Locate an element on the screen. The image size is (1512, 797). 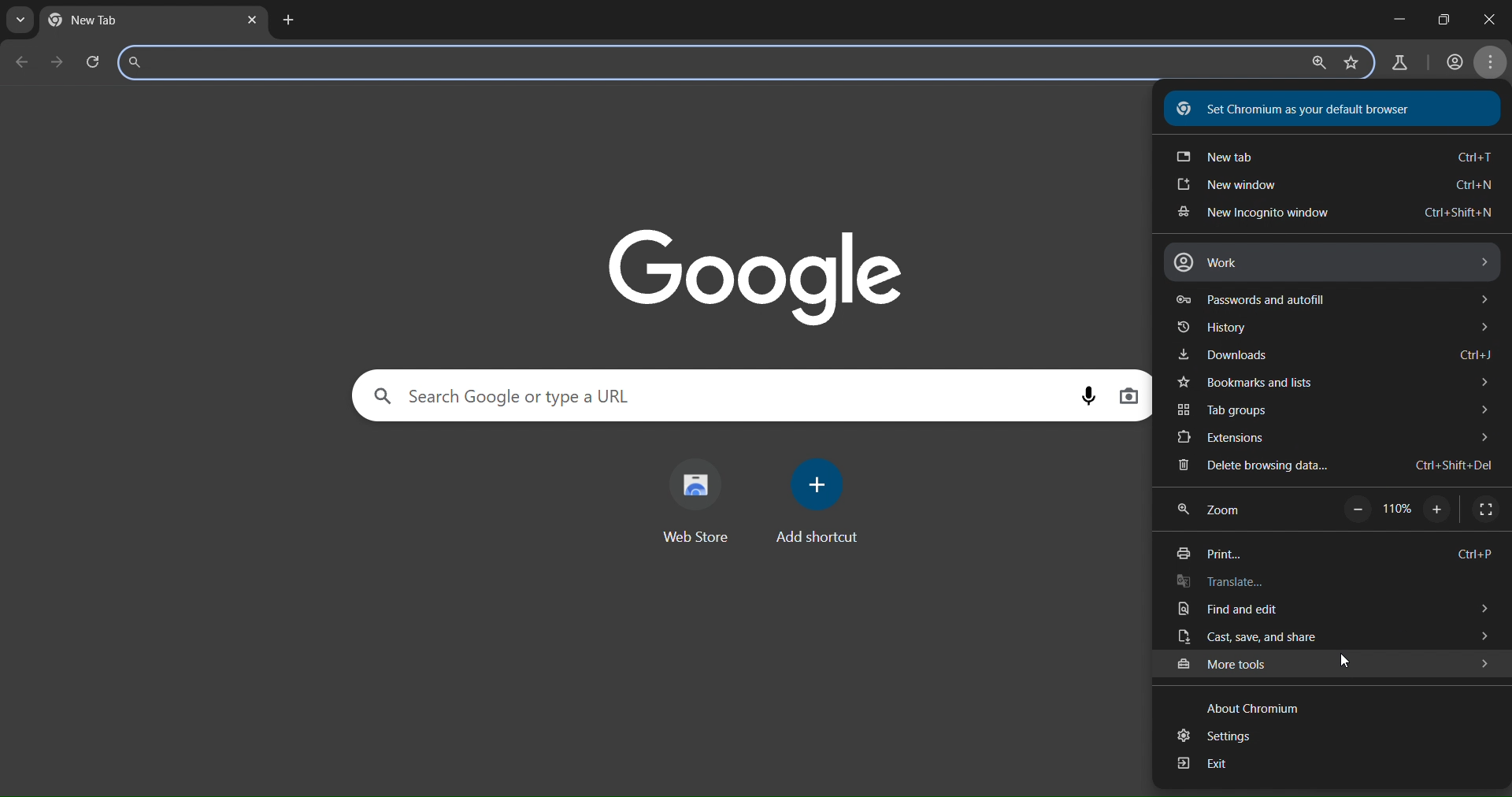
restore down is located at coordinates (1443, 19).